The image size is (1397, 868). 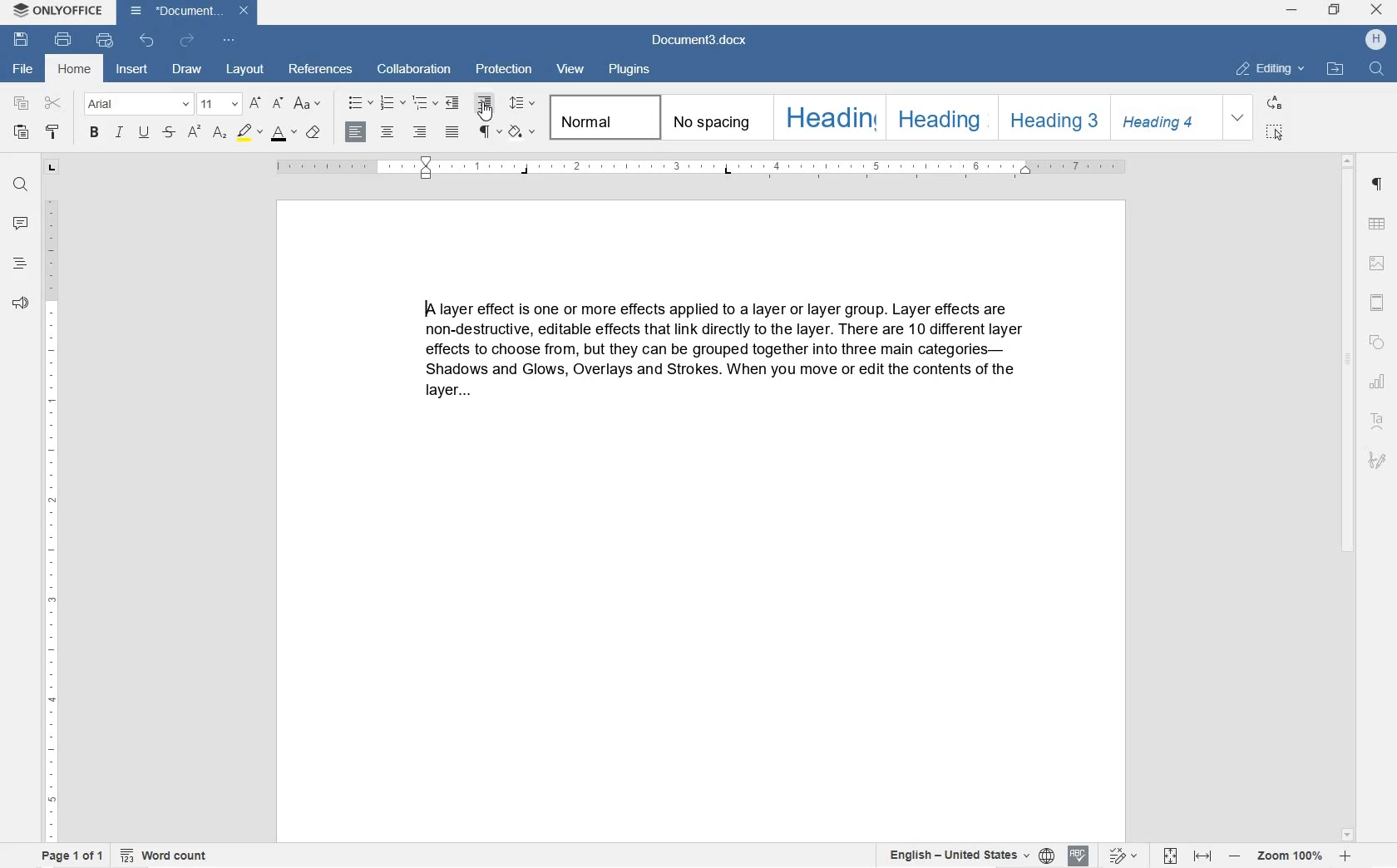 What do you see at coordinates (139, 104) in the screenshot?
I see `FONT NAME` at bounding box center [139, 104].